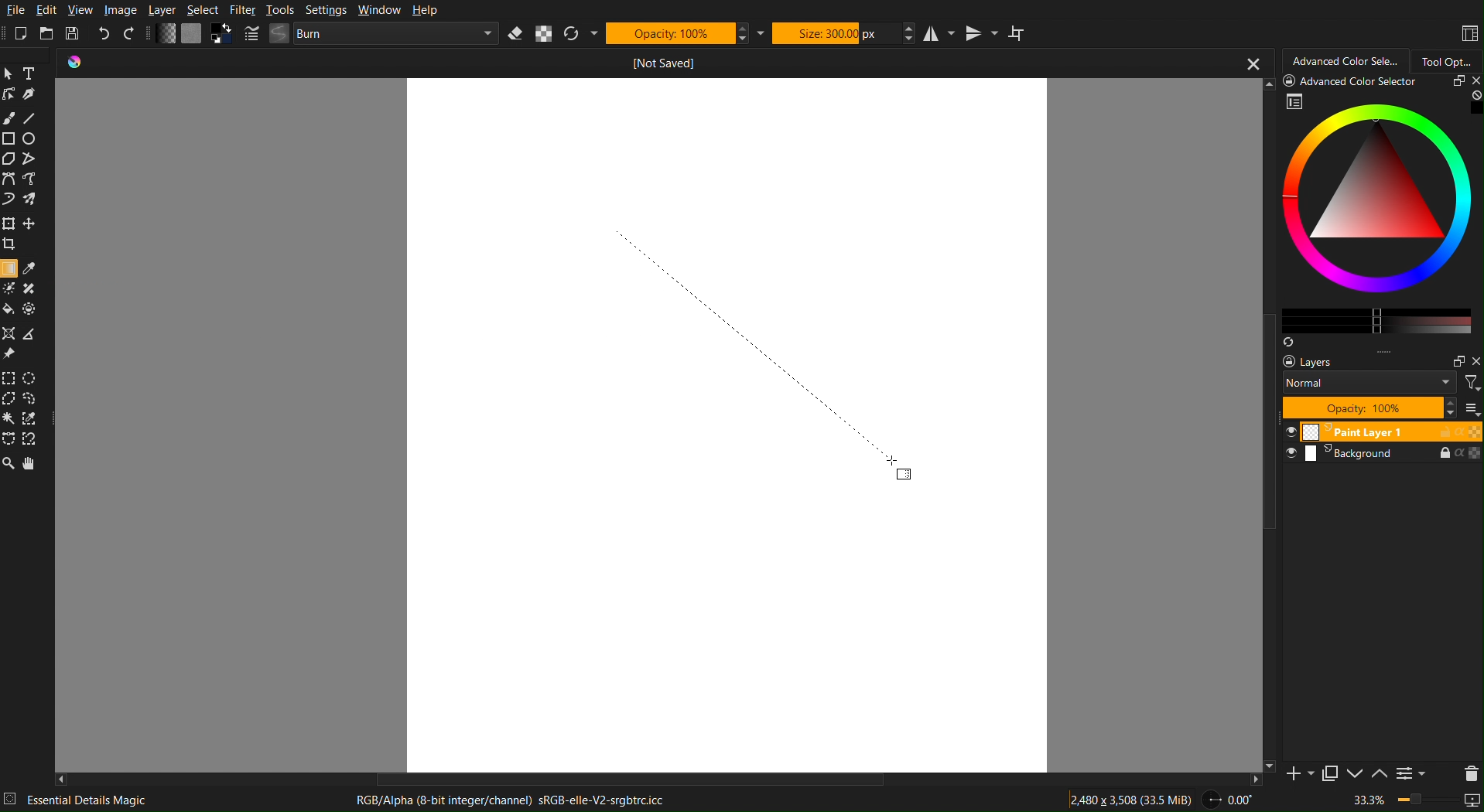  I want to click on Filter, so click(242, 10).